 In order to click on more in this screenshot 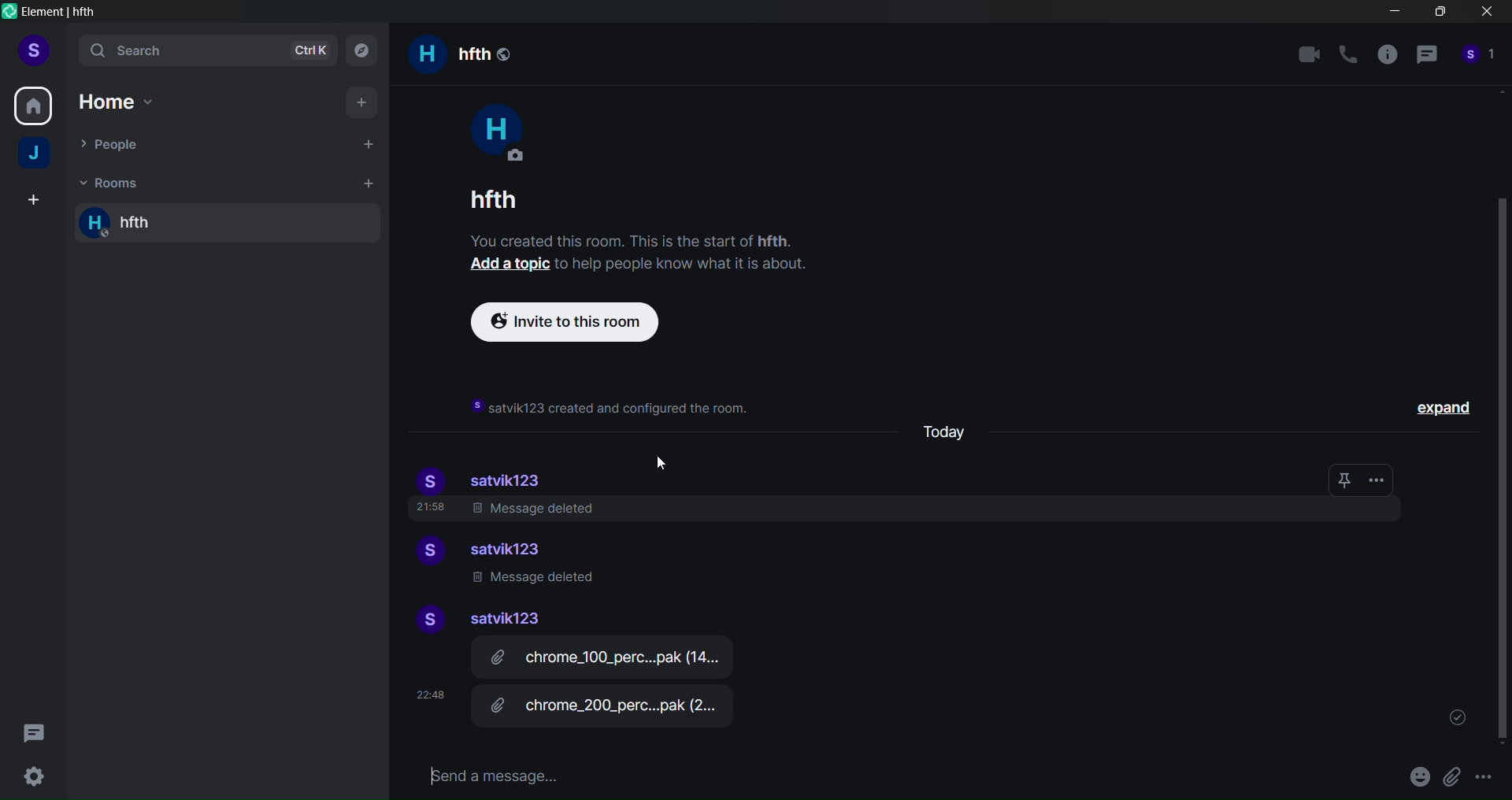, I will do `click(1384, 480)`.